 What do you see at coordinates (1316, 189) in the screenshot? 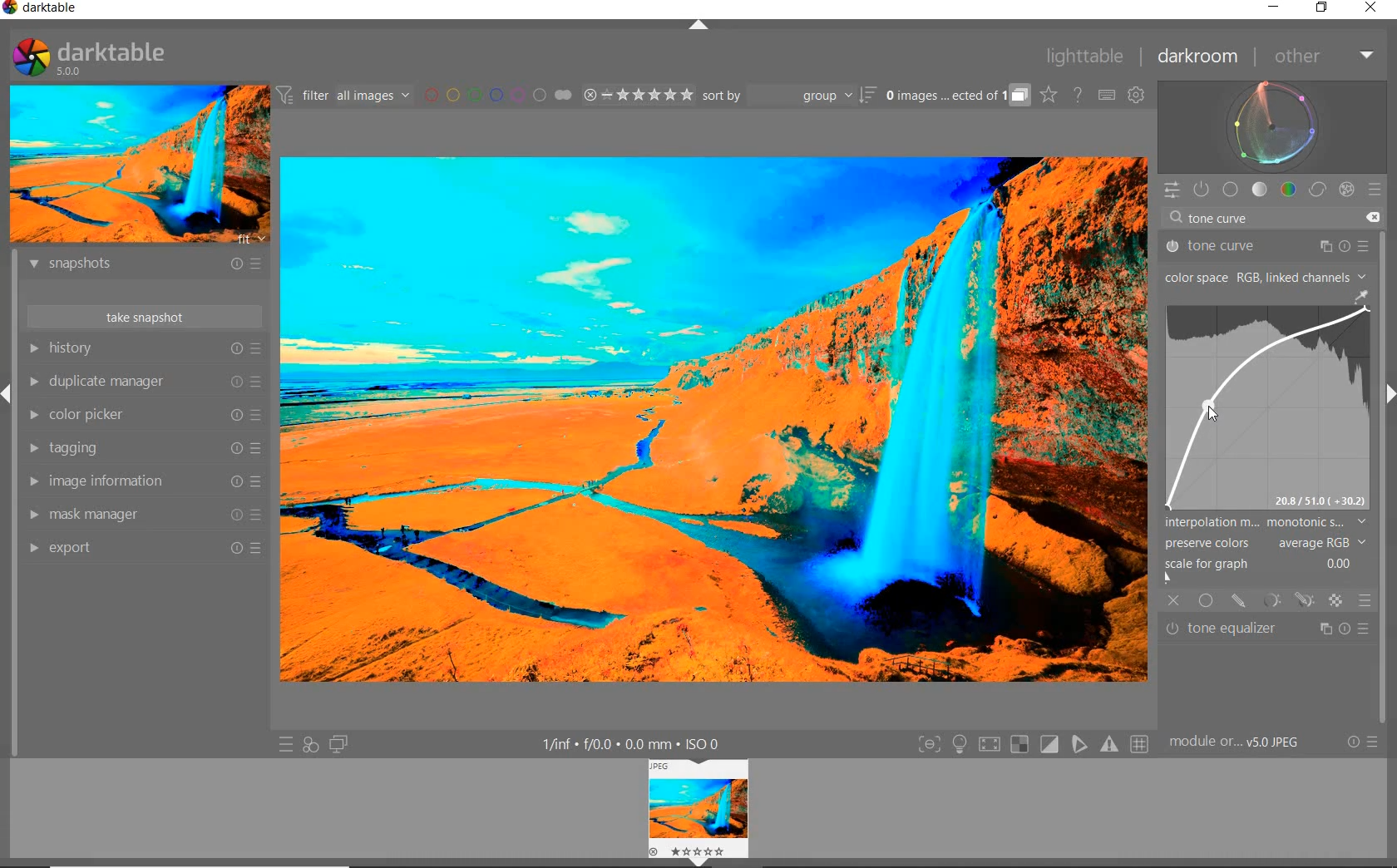
I see `correct` at bounding box center [1316, 189].